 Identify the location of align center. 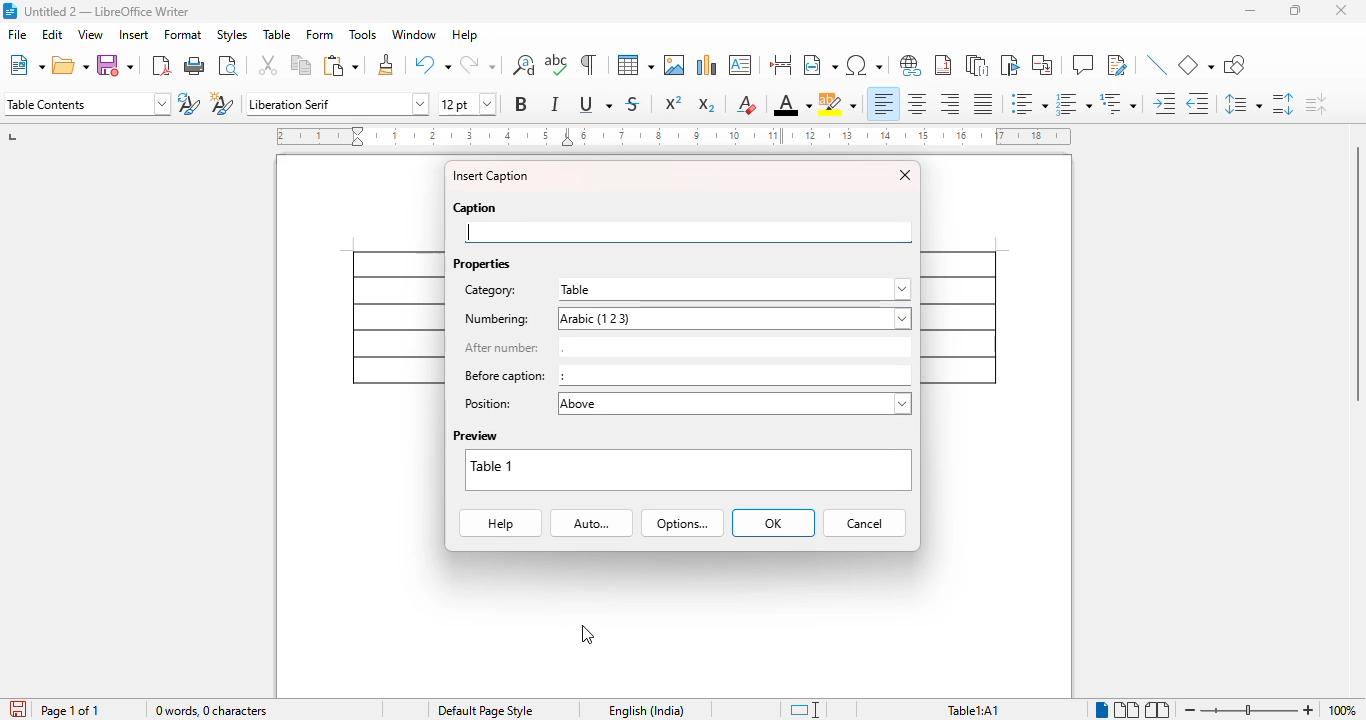
(917, 104).